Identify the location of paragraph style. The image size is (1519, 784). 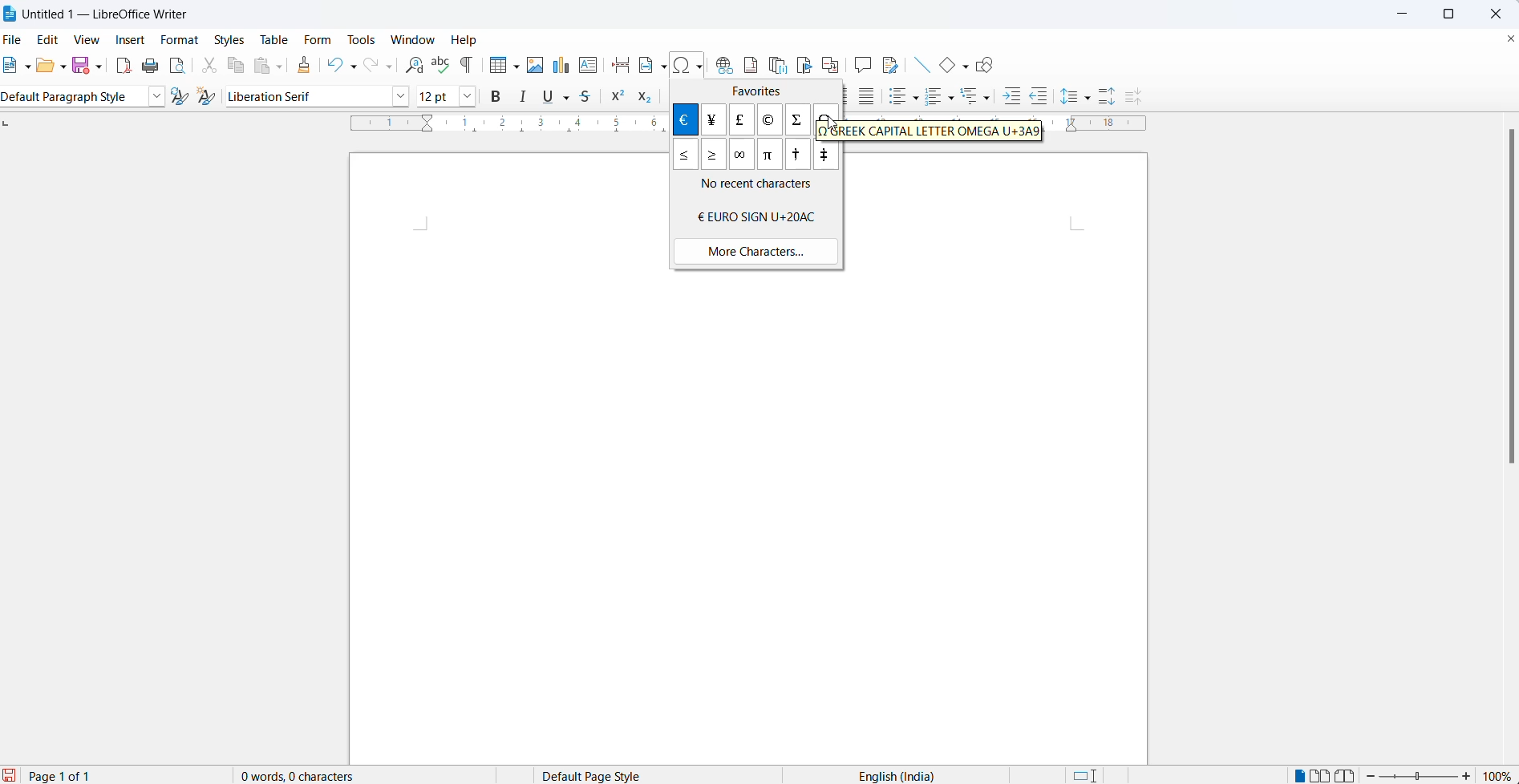
(68, 98).